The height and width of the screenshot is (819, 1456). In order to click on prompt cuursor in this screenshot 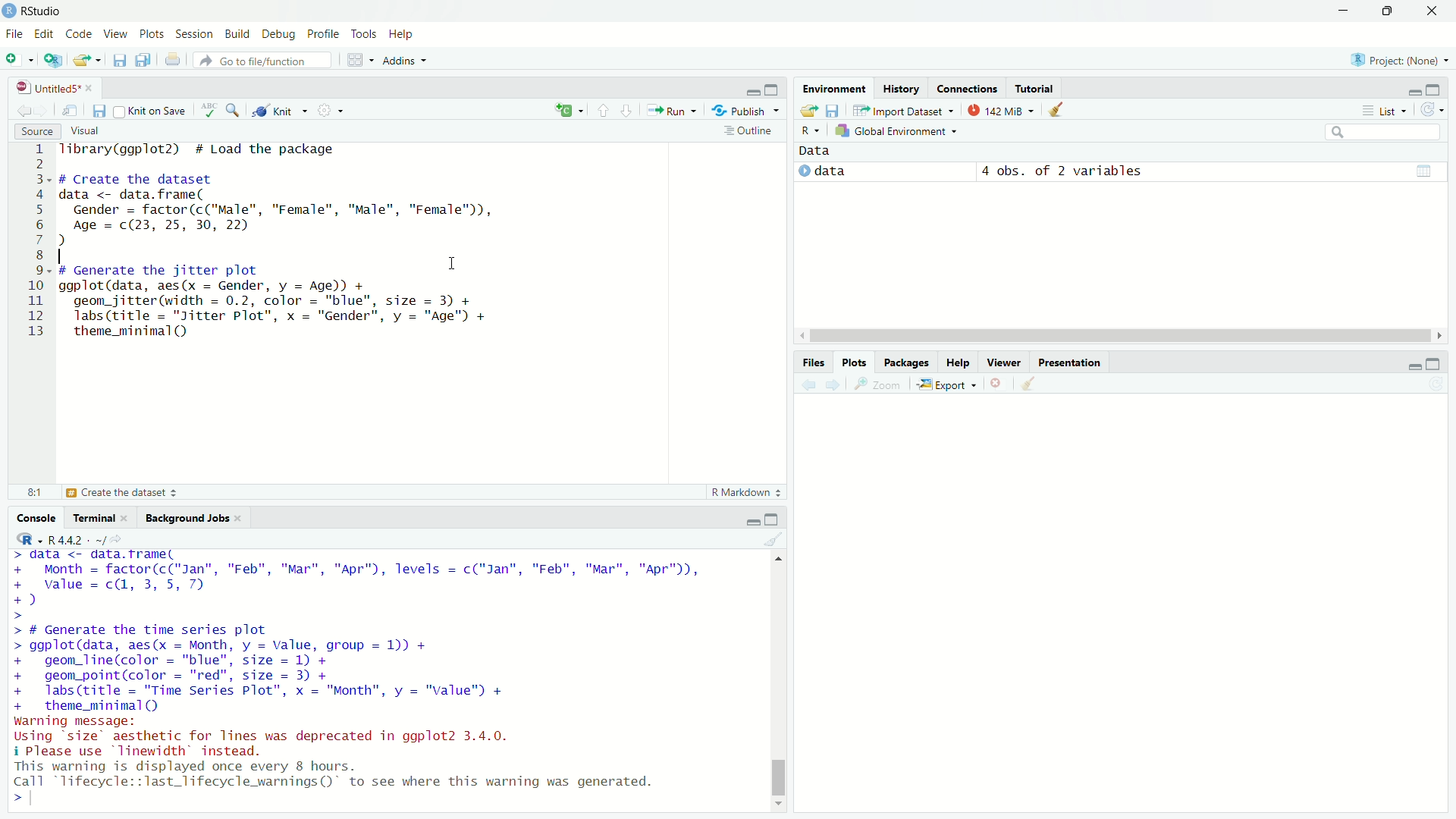, I will do `click(15, 616)`.